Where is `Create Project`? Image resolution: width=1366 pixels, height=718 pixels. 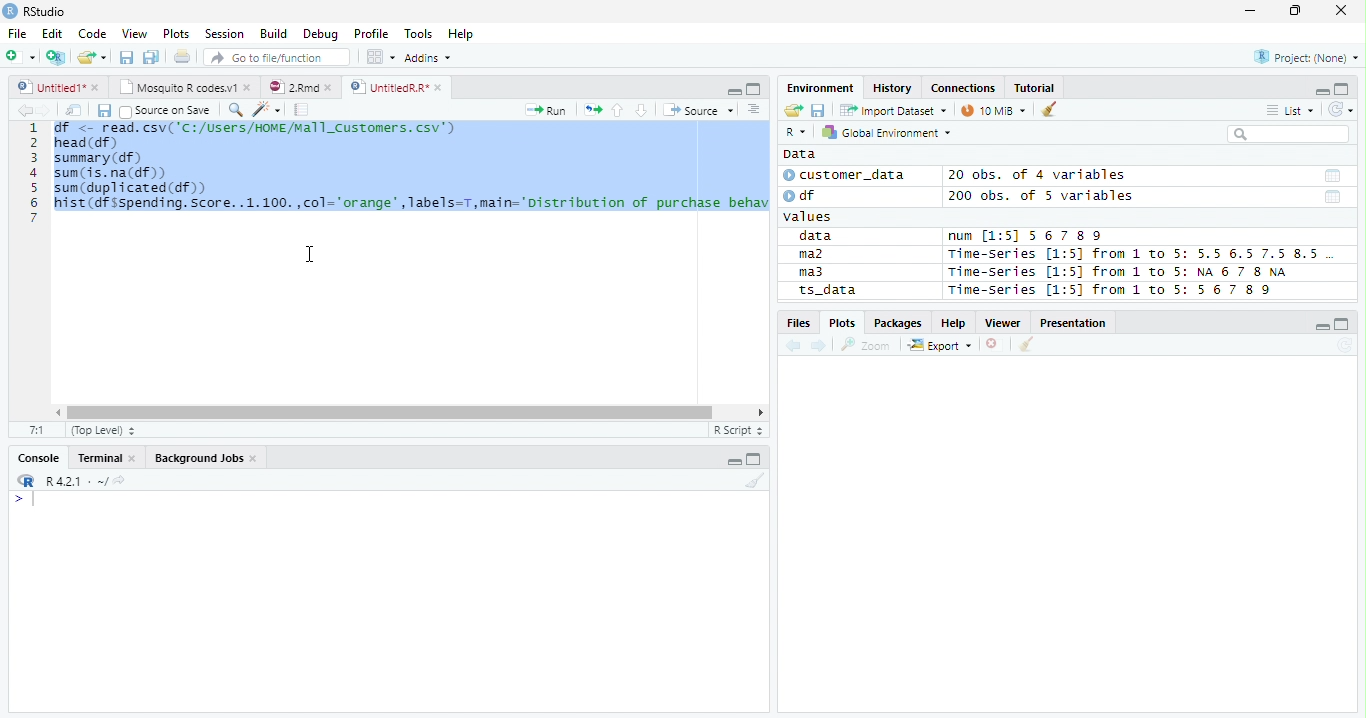
Create Project is located at coordinates (57, 57).